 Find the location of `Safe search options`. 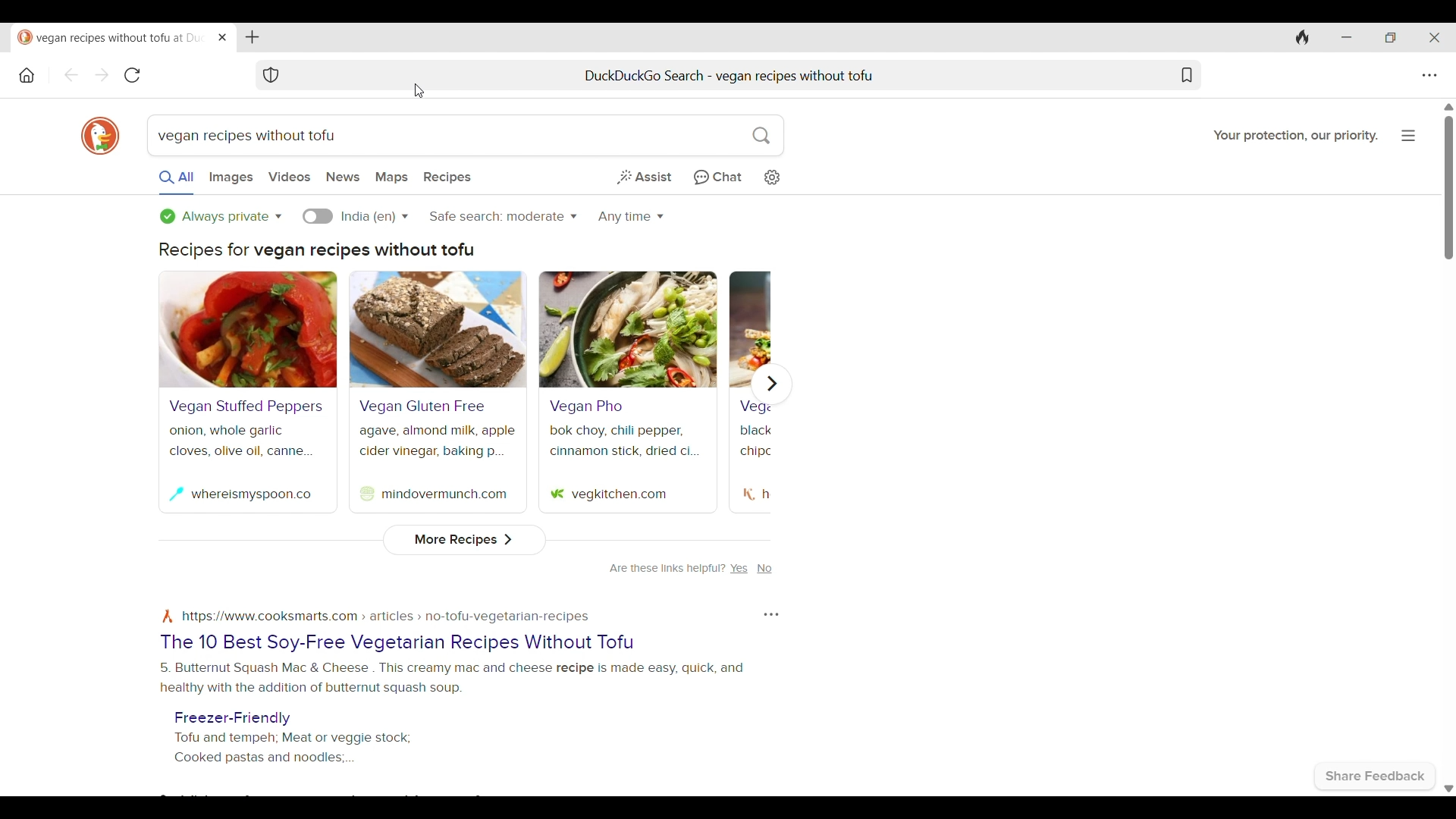

Safe search options is located at coordinates (503, 216).